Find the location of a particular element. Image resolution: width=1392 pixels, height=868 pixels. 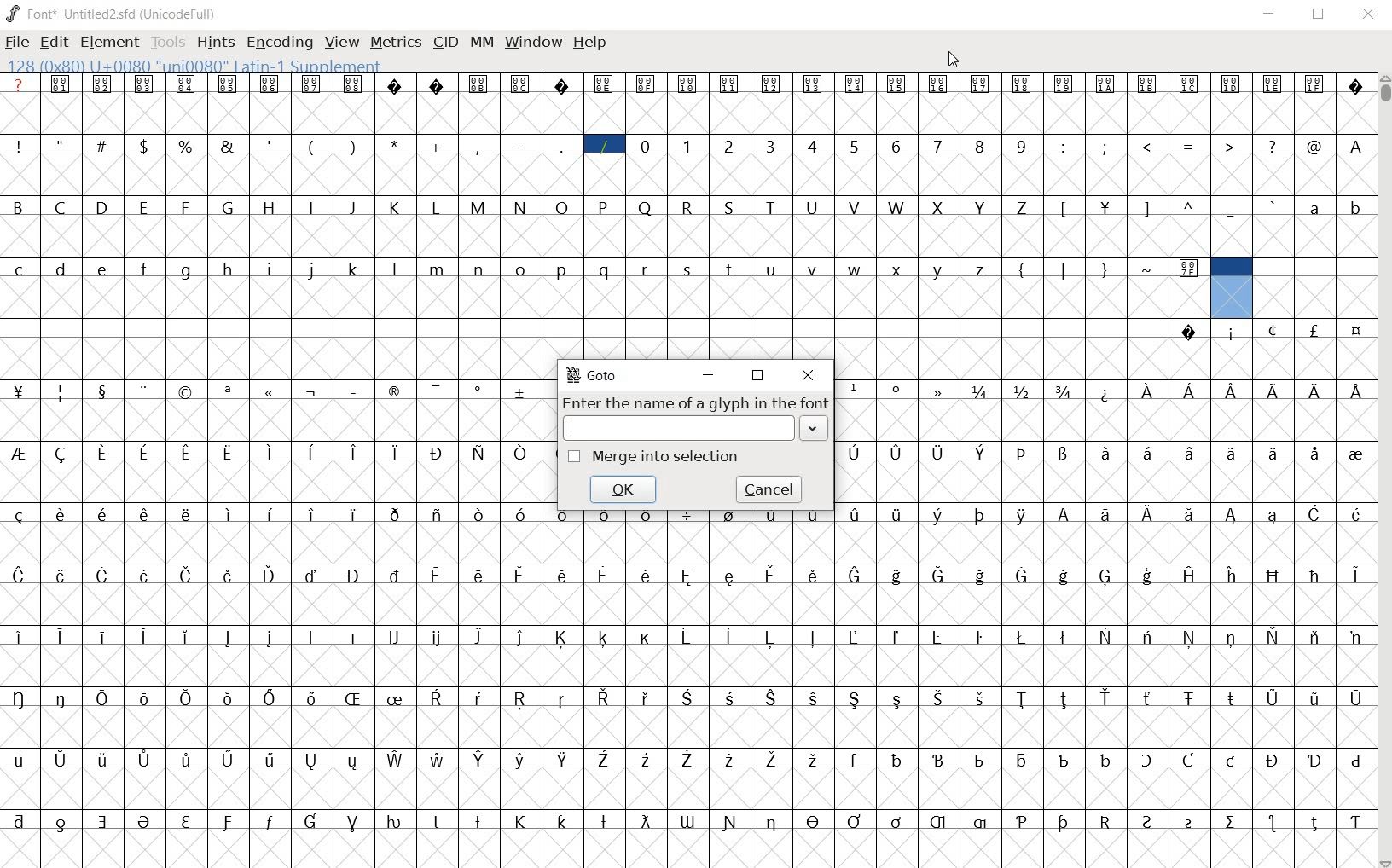

Symbol is located at coordinates (1105, 85).